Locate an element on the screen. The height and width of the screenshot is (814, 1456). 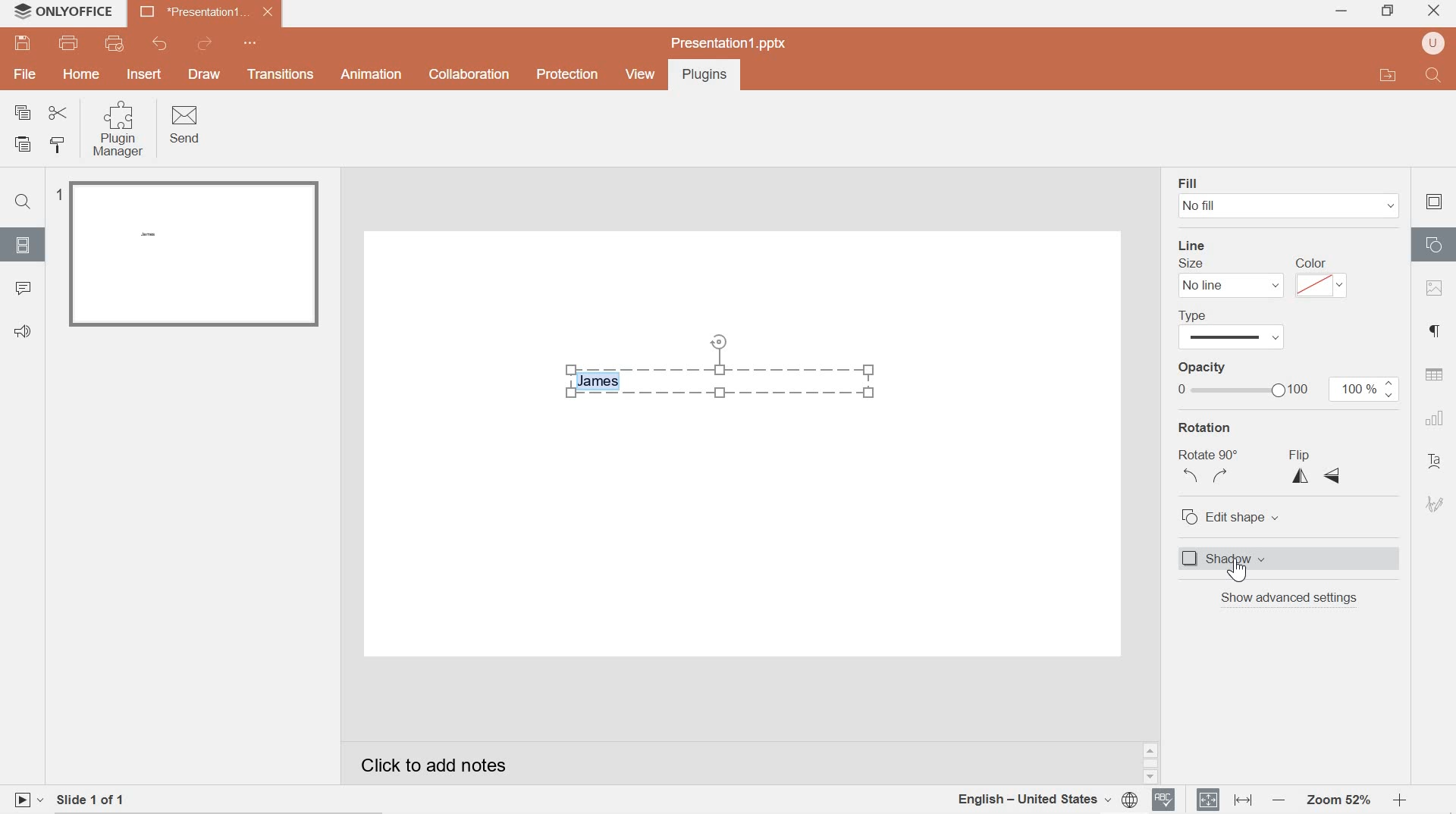
chart is located at coordinates (1434, 418).